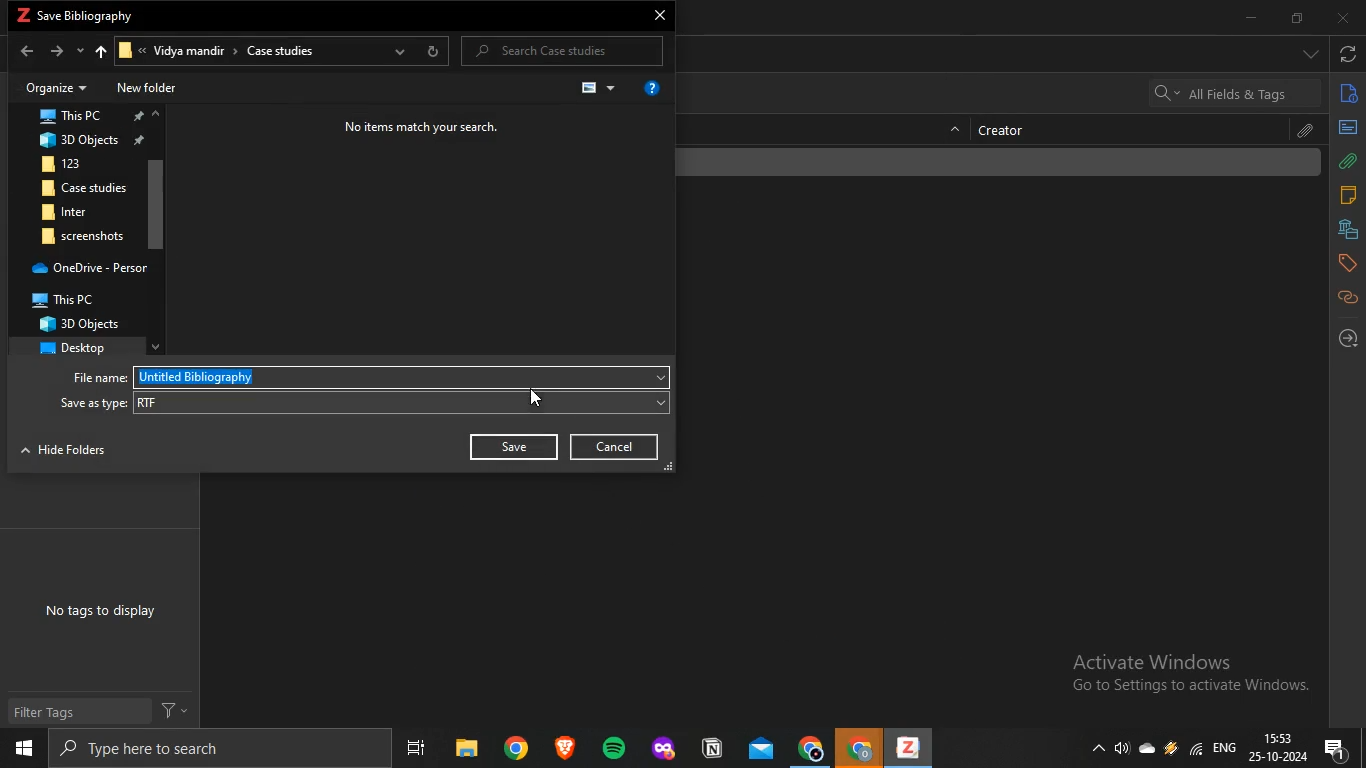 This screenshot has width=1366, height=768. What do you see at coordinates (465, 748) in the screenshot?
I see `files` at bounding box center [465, 748].